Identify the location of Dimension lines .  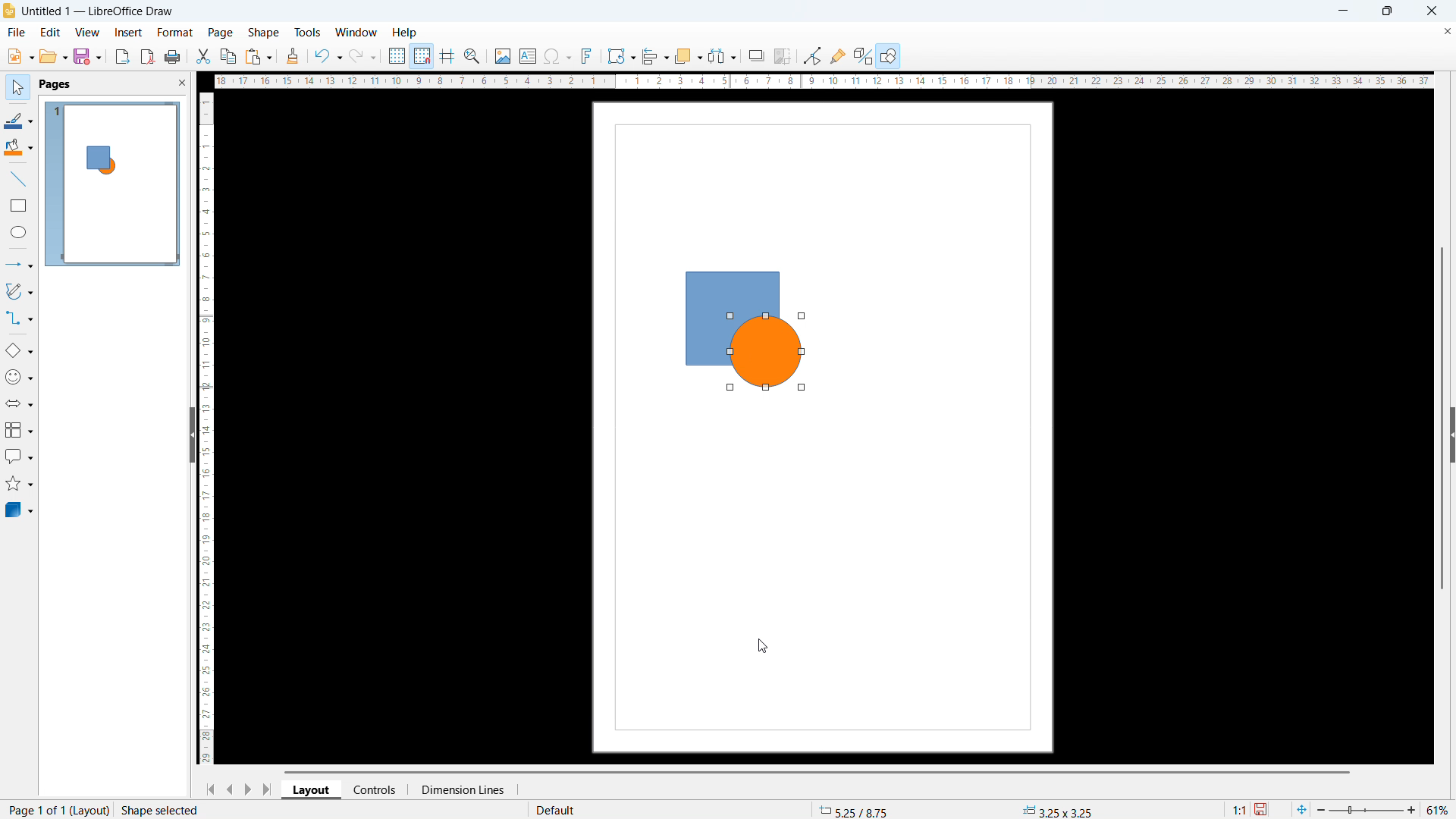
(463, 789).